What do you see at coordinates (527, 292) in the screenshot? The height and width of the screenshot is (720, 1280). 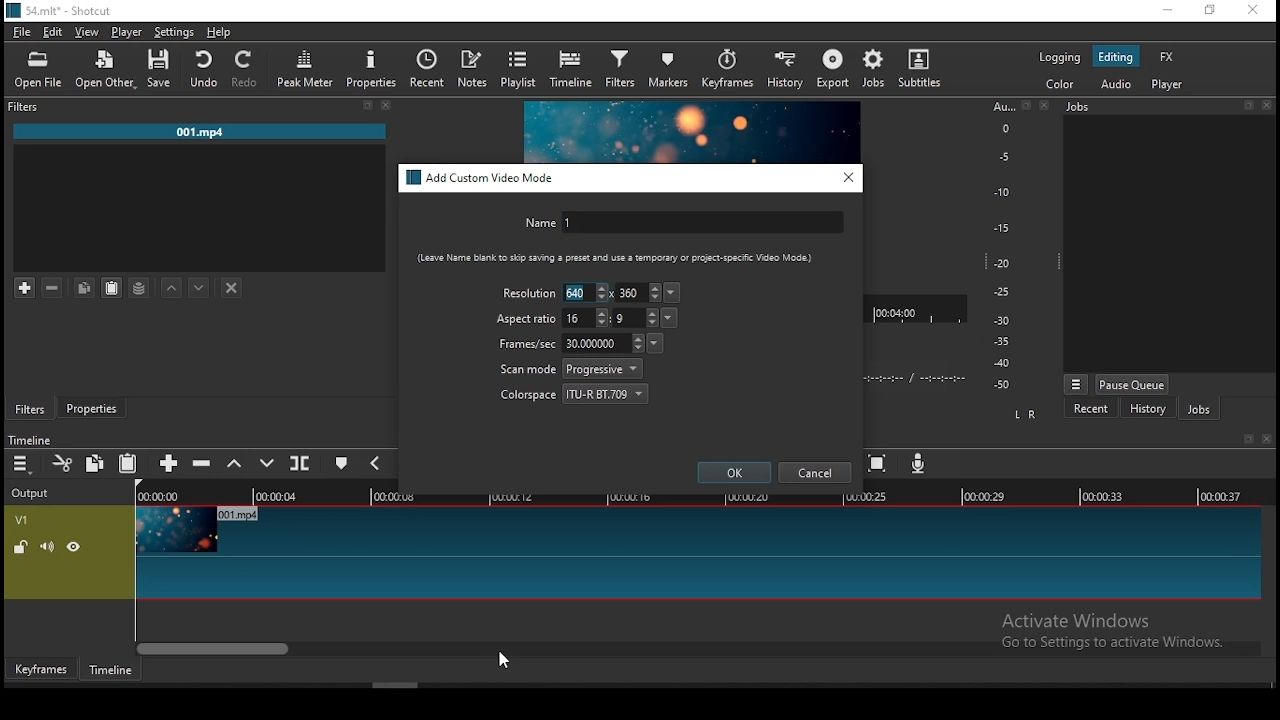 I see `resolution` at bounding box center [527, 292].